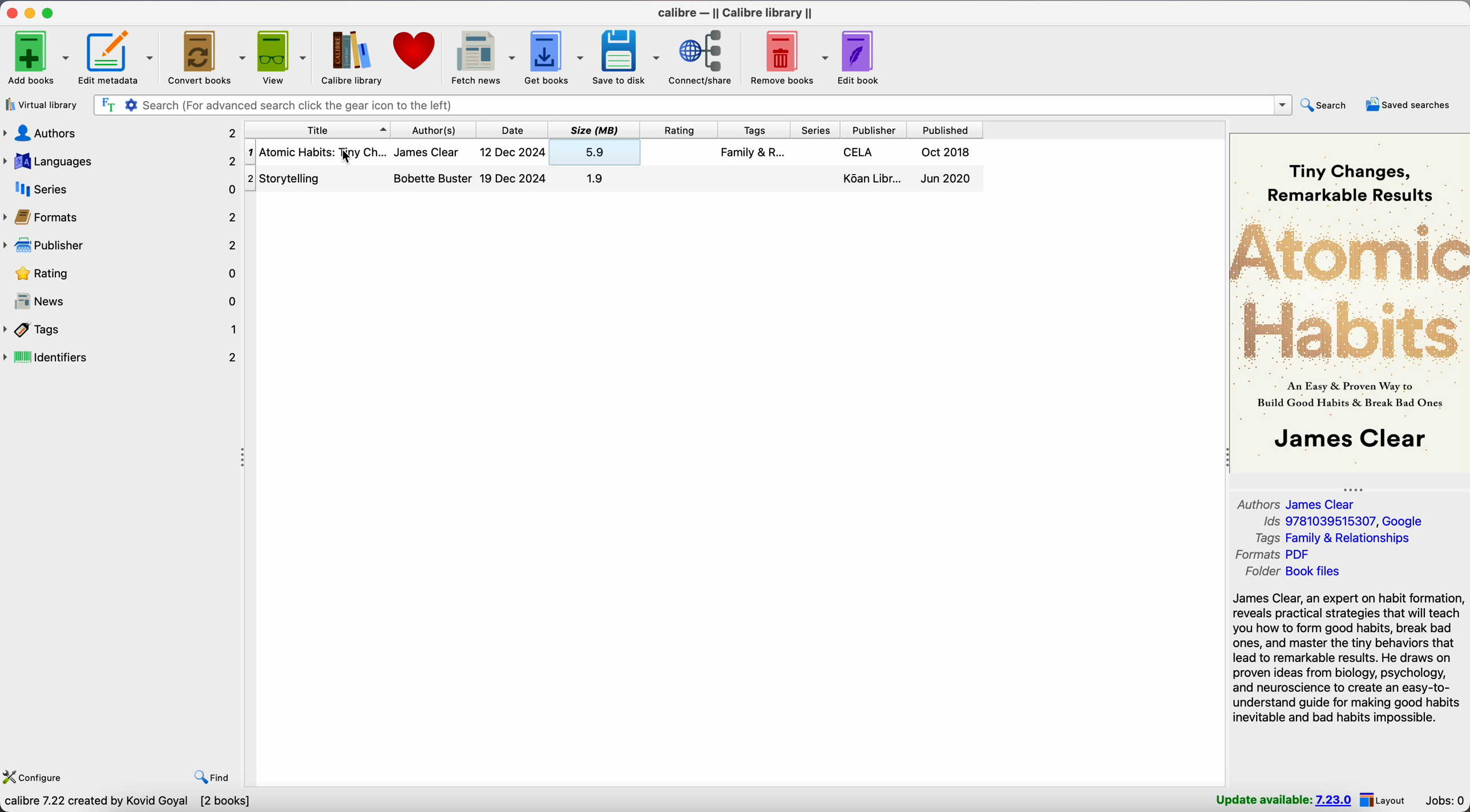  Describe the element at coordinates (123, 358) in the screenshot. I see `identifiers` at that location.